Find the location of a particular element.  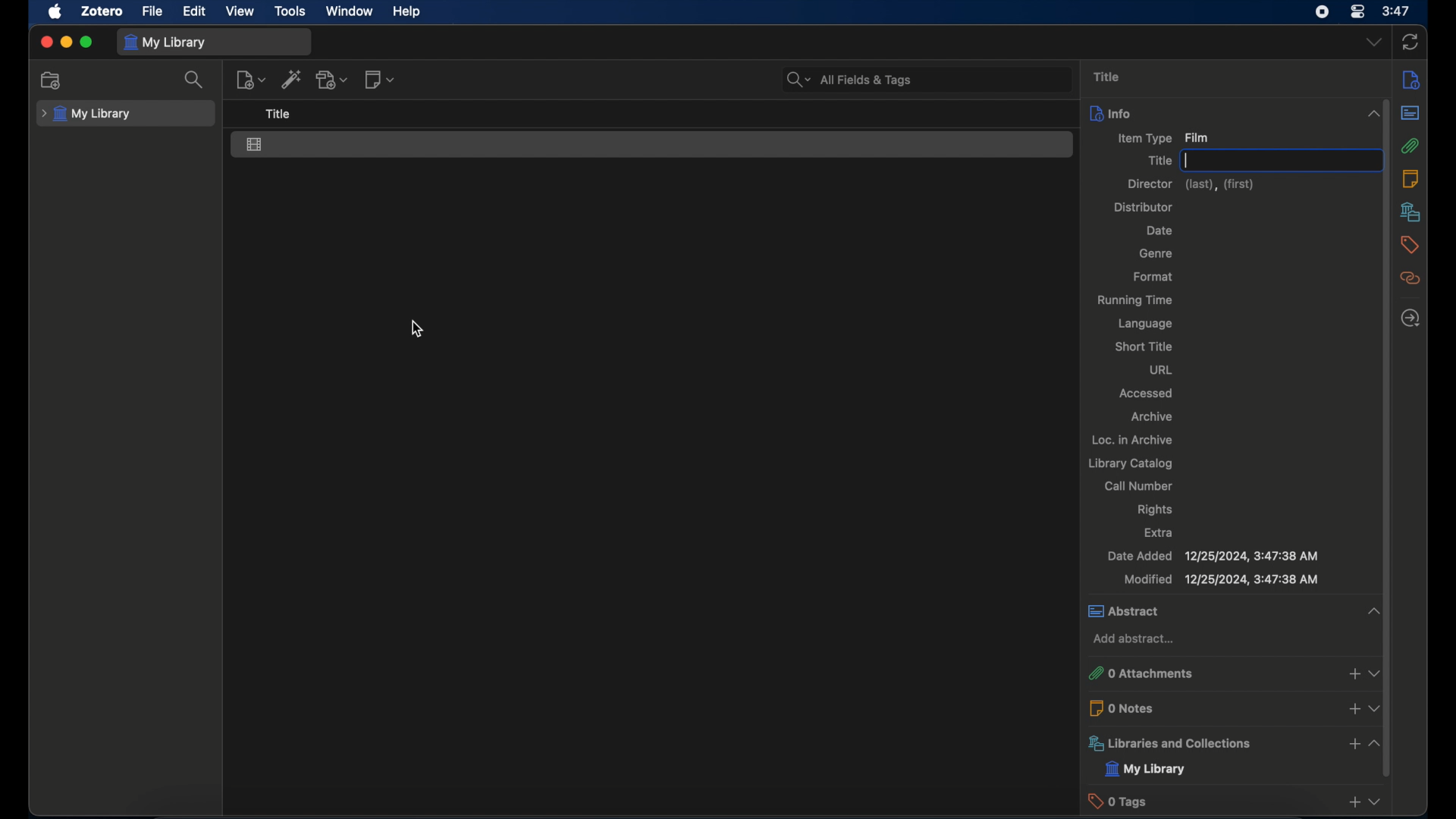

time is located at coordinates (1397, 10).